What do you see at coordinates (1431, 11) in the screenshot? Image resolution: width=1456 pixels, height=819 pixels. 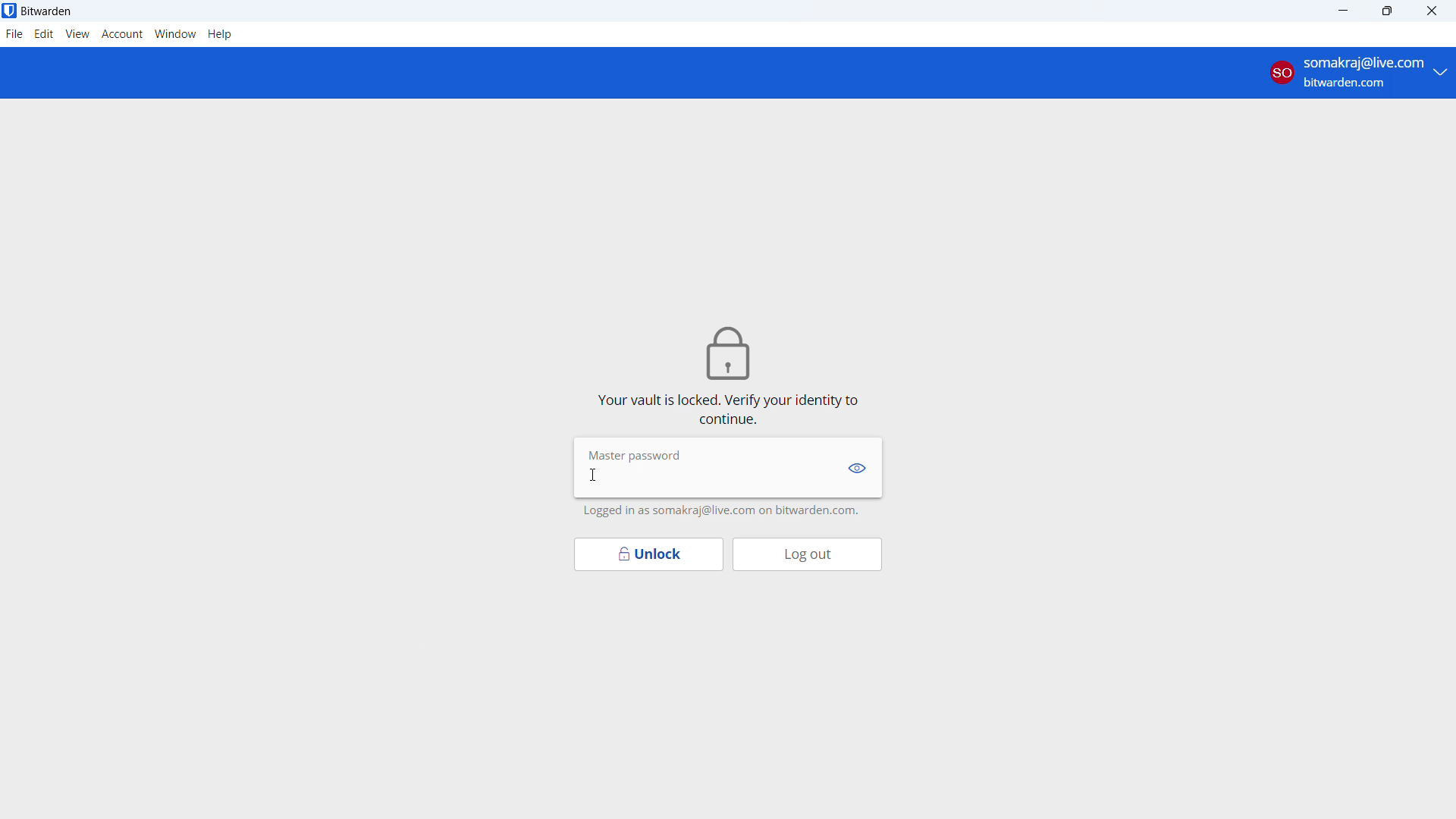 I see `close` at bounding box center [1431, 11].